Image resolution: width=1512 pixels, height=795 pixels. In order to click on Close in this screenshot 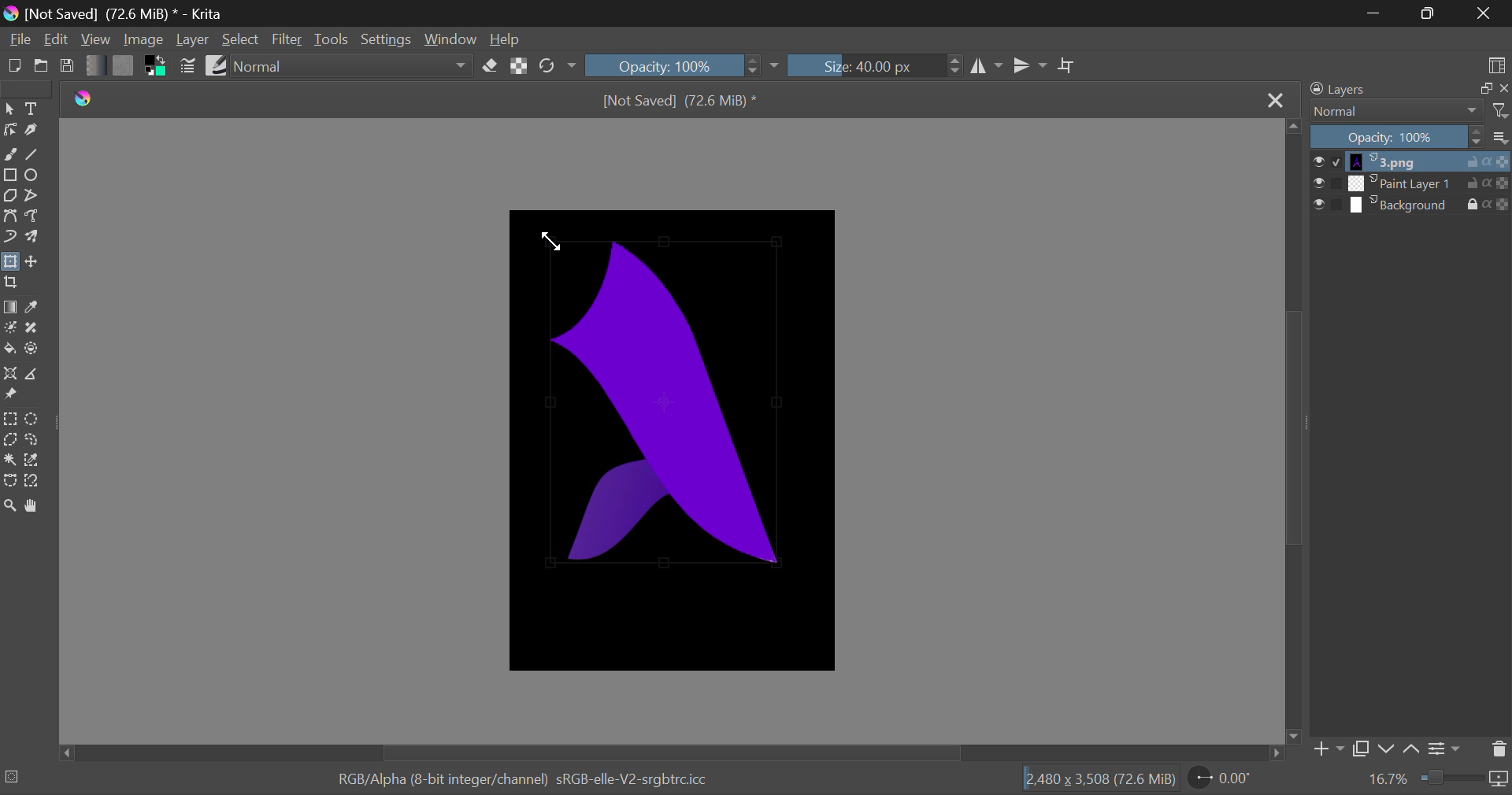, I will do `click(1484, 13)`.